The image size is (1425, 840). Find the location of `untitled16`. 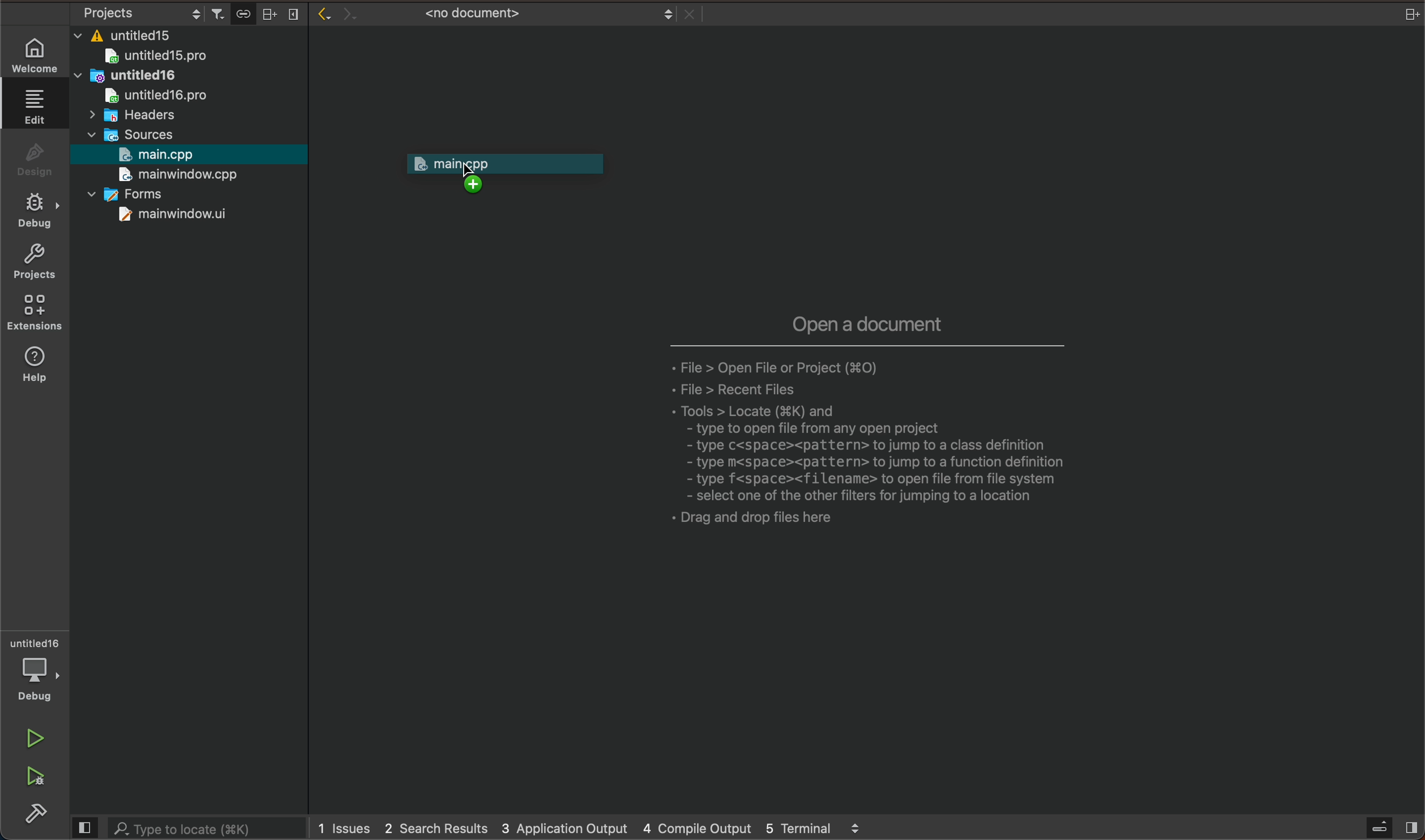

untitled16 is located at coordinates (155, 78).